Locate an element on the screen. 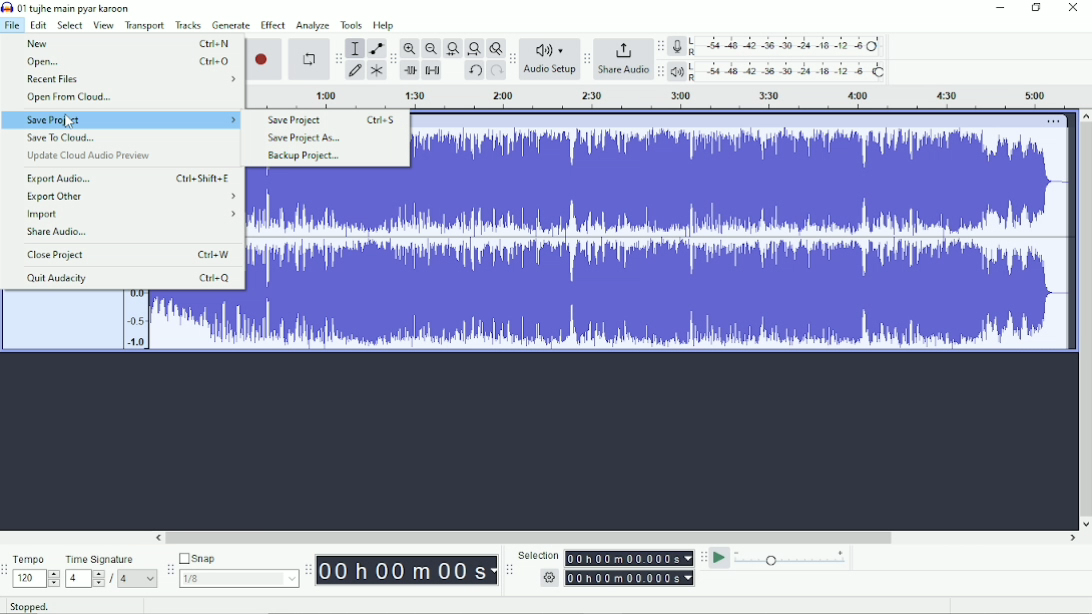  Redo is located at coordinates (496, 70).